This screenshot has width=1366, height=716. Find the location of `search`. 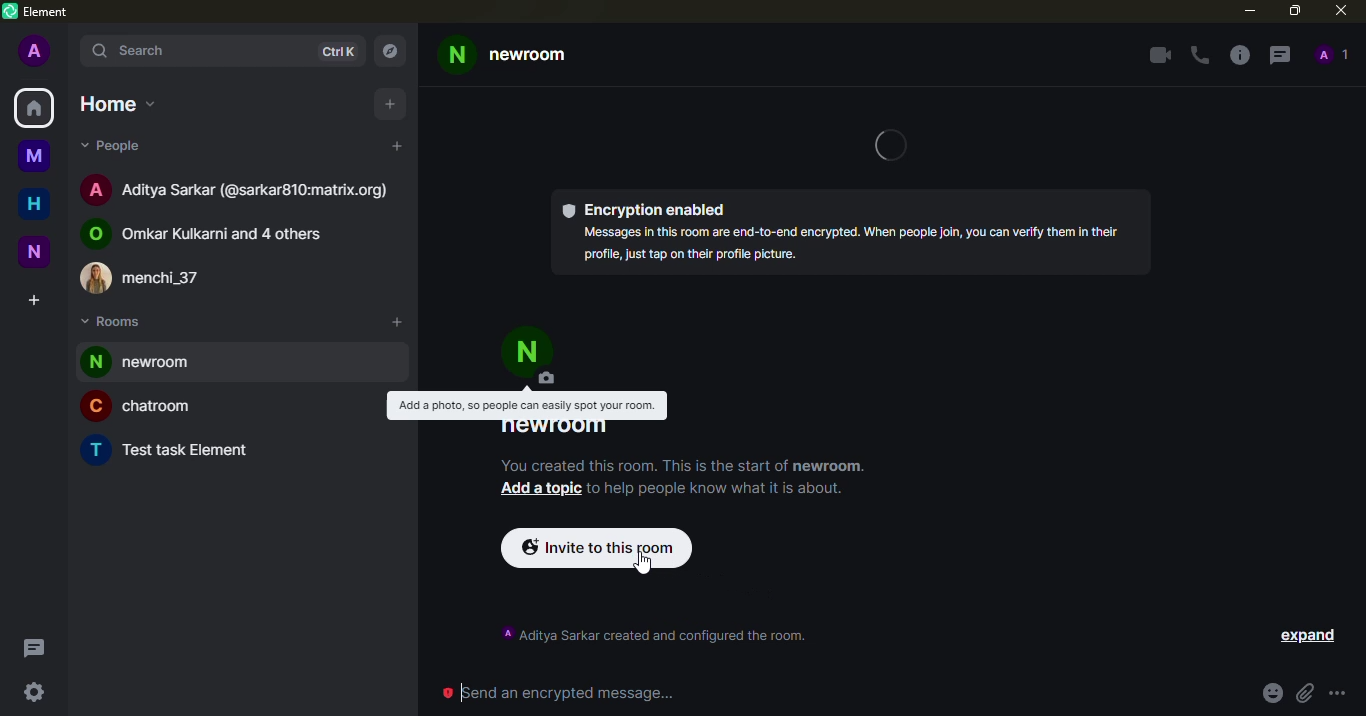

search is located at coordinates (145, 51).